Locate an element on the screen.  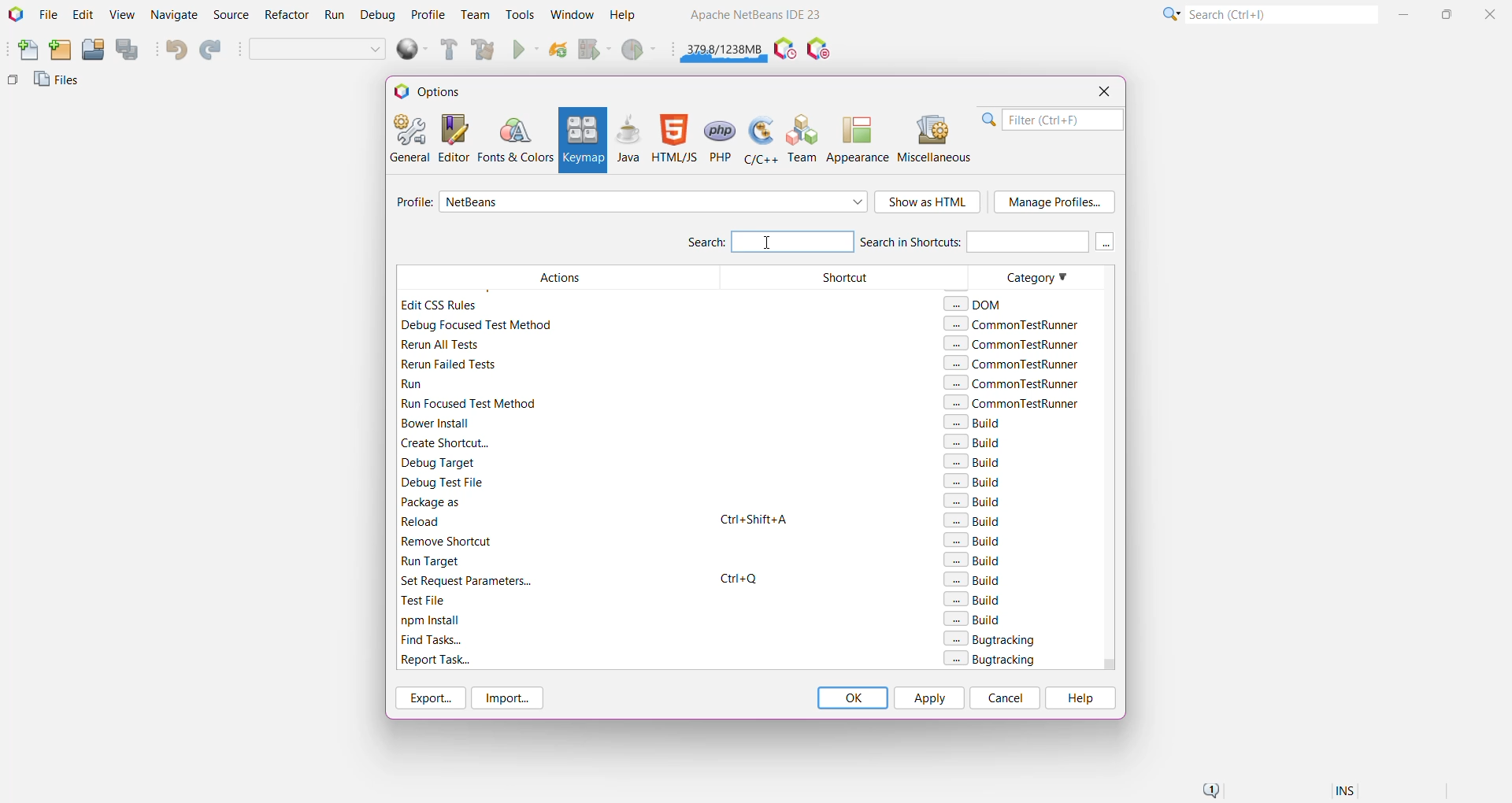
Show as HTML is located at coordinates (928, 203).